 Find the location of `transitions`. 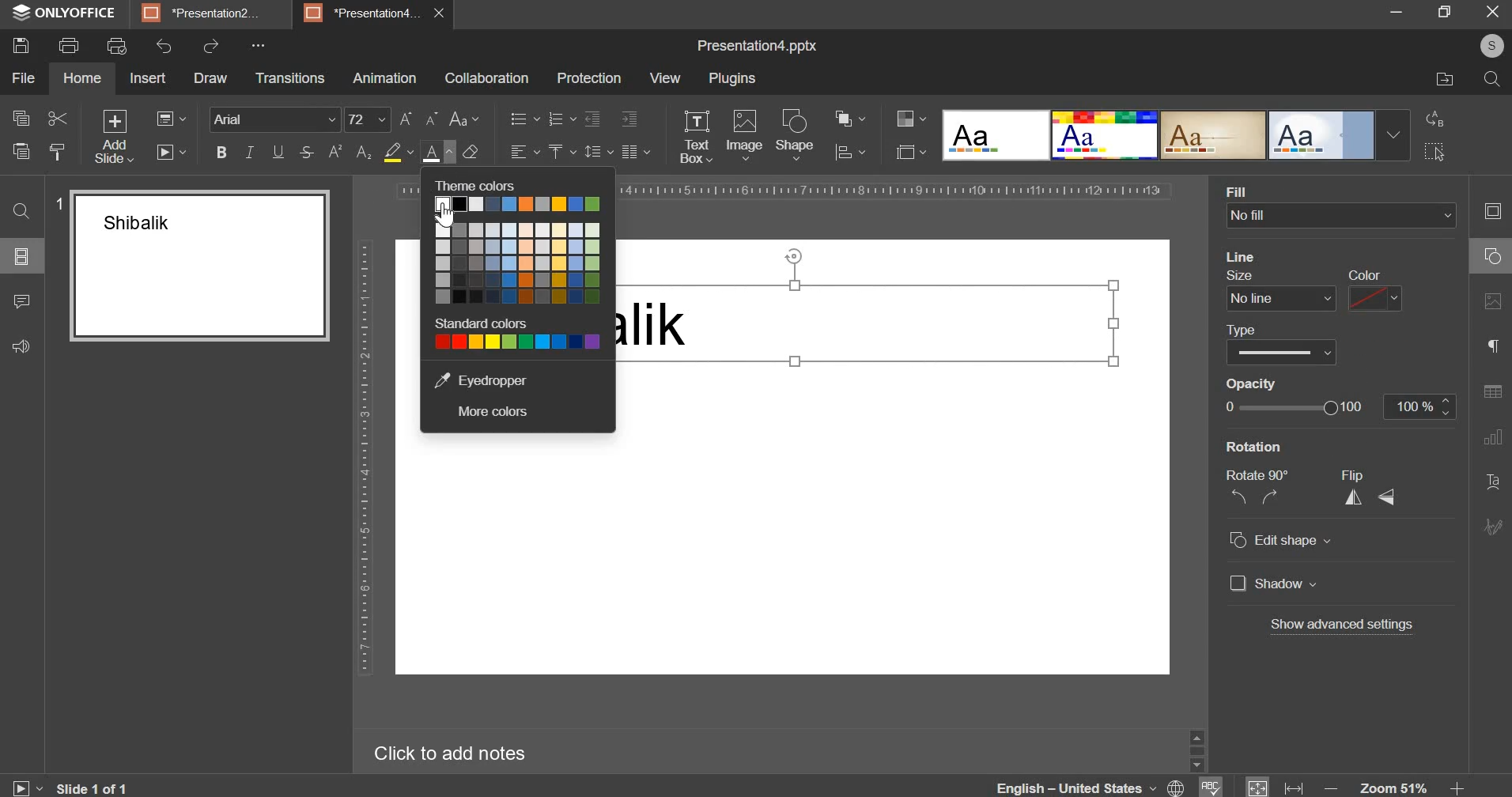

transitions is located at coordinates (289, 78).